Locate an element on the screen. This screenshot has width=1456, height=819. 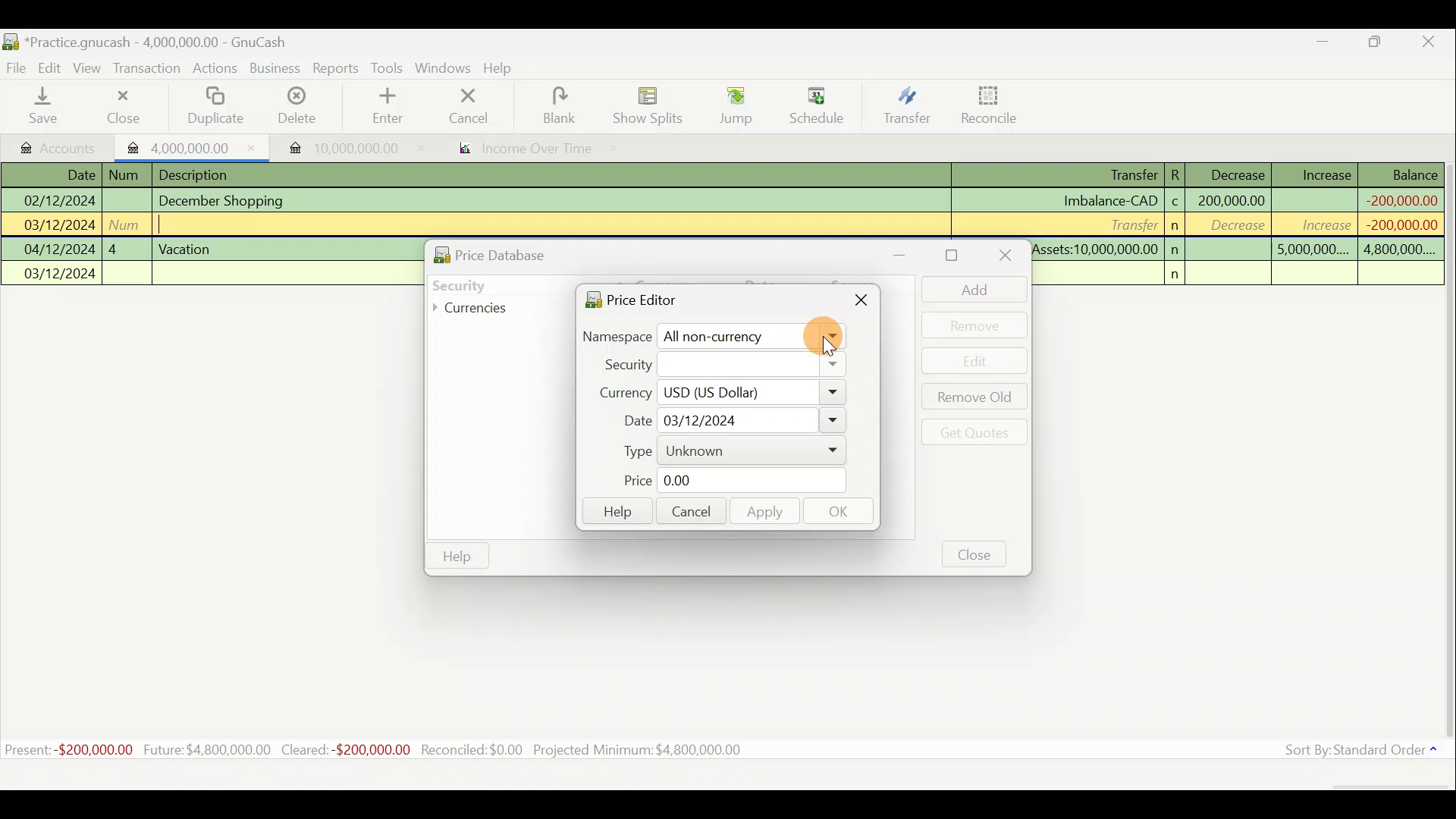
Minimise is located at coordinates (908, 255).